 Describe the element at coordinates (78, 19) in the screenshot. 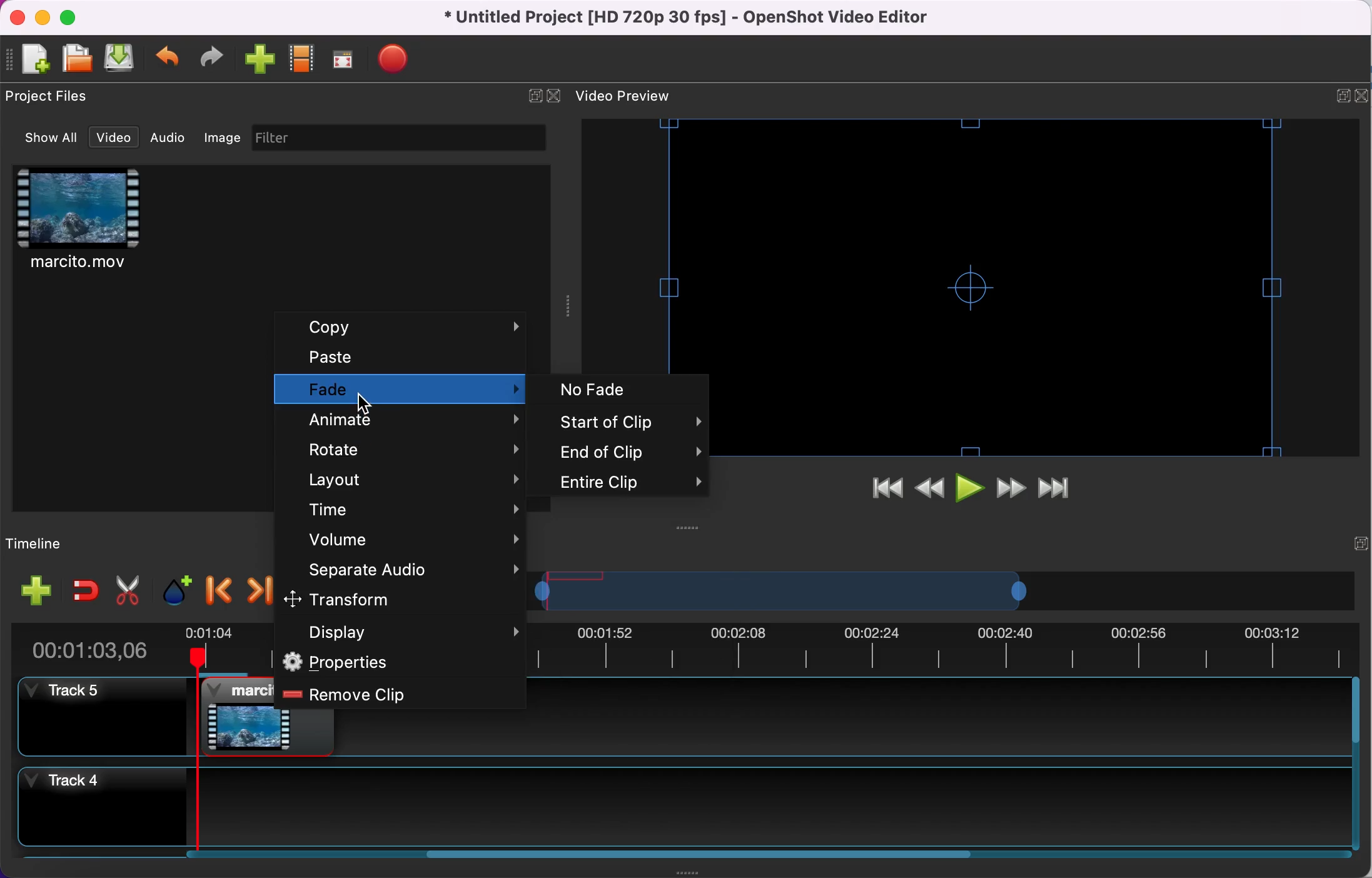

I see `maximize` at that location.